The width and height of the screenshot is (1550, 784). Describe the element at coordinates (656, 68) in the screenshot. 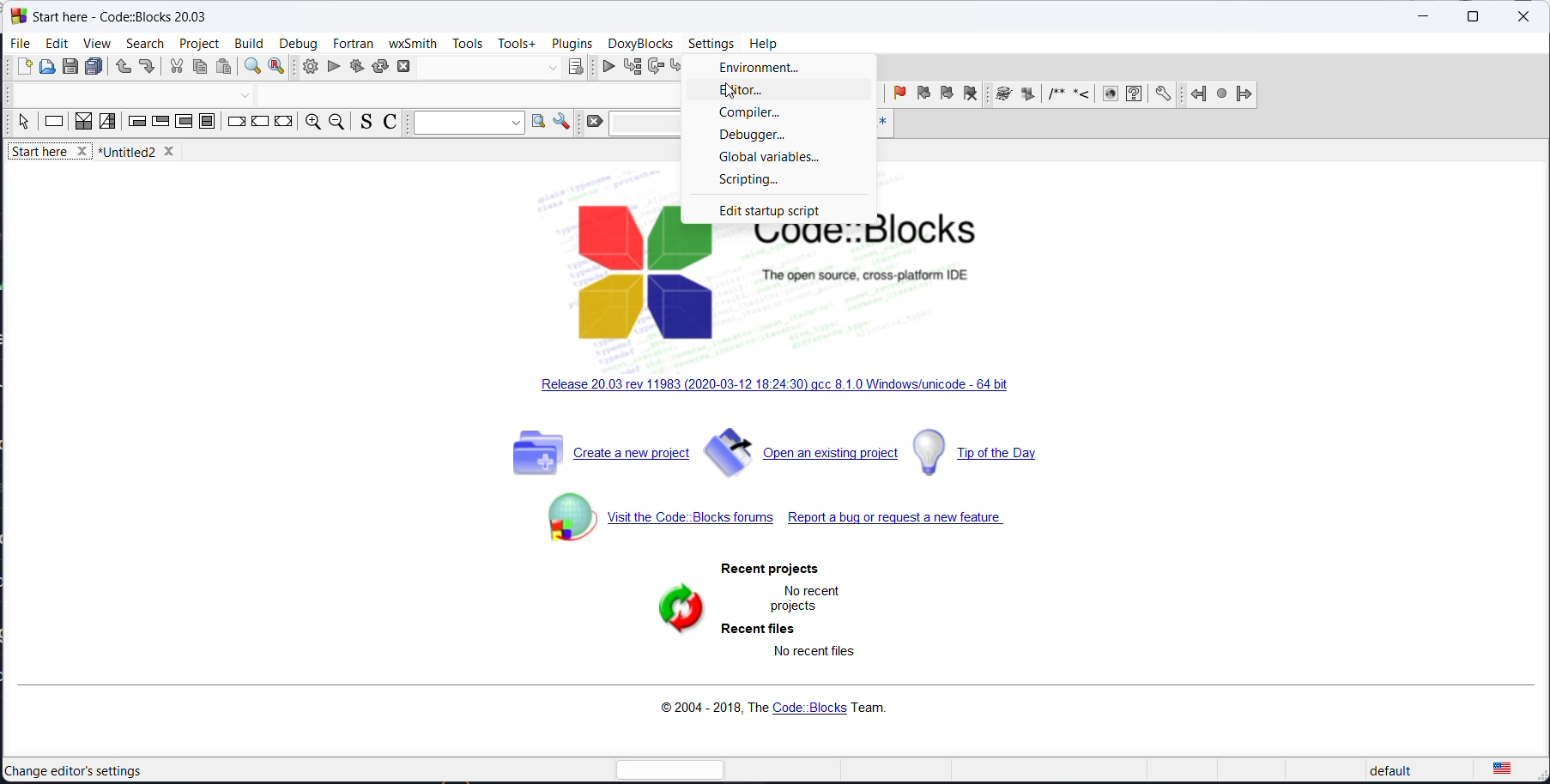

I see `next line` at that location.